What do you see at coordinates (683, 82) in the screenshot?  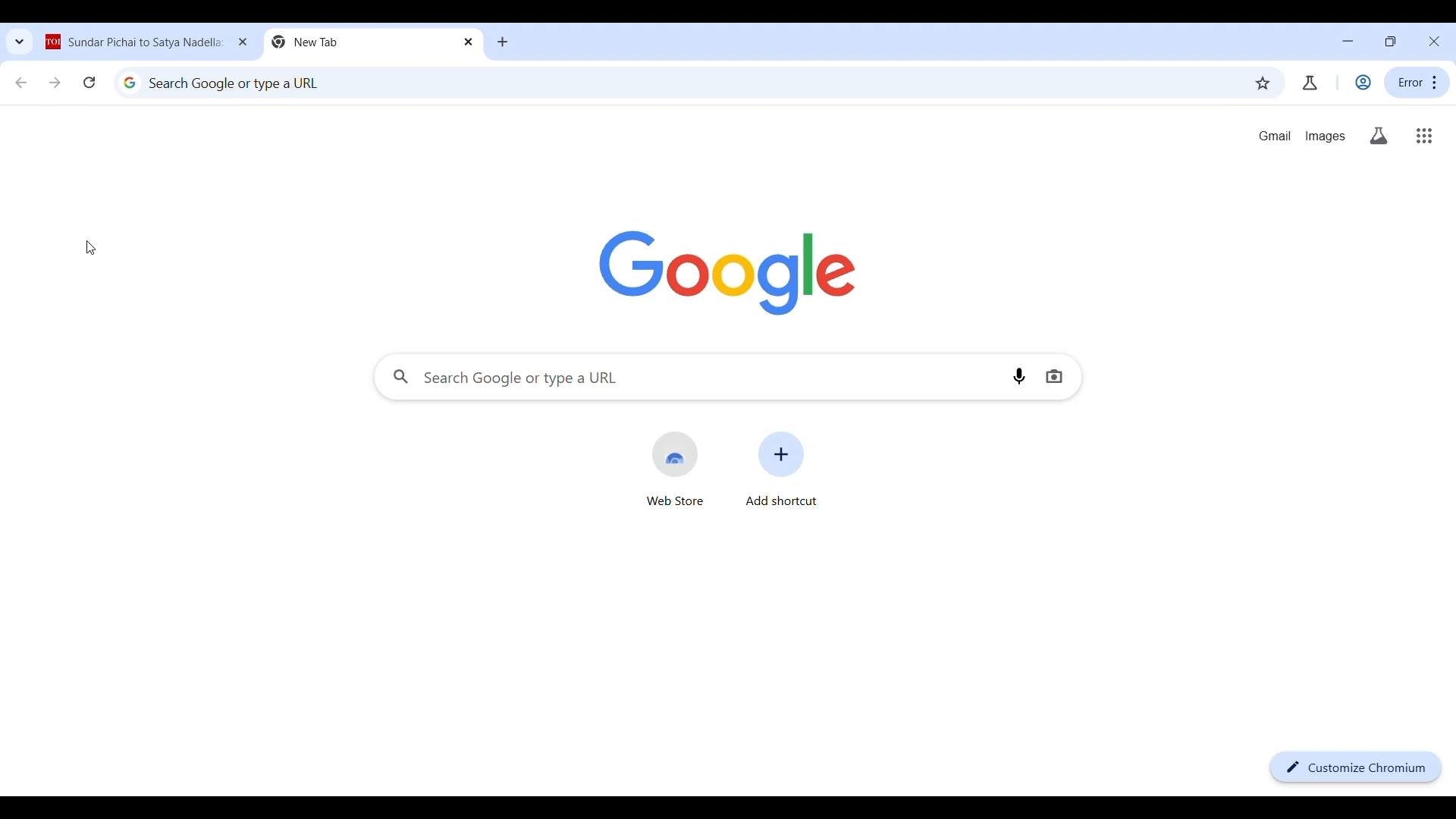 I see `Search web box` at bounding box center [683, 82].